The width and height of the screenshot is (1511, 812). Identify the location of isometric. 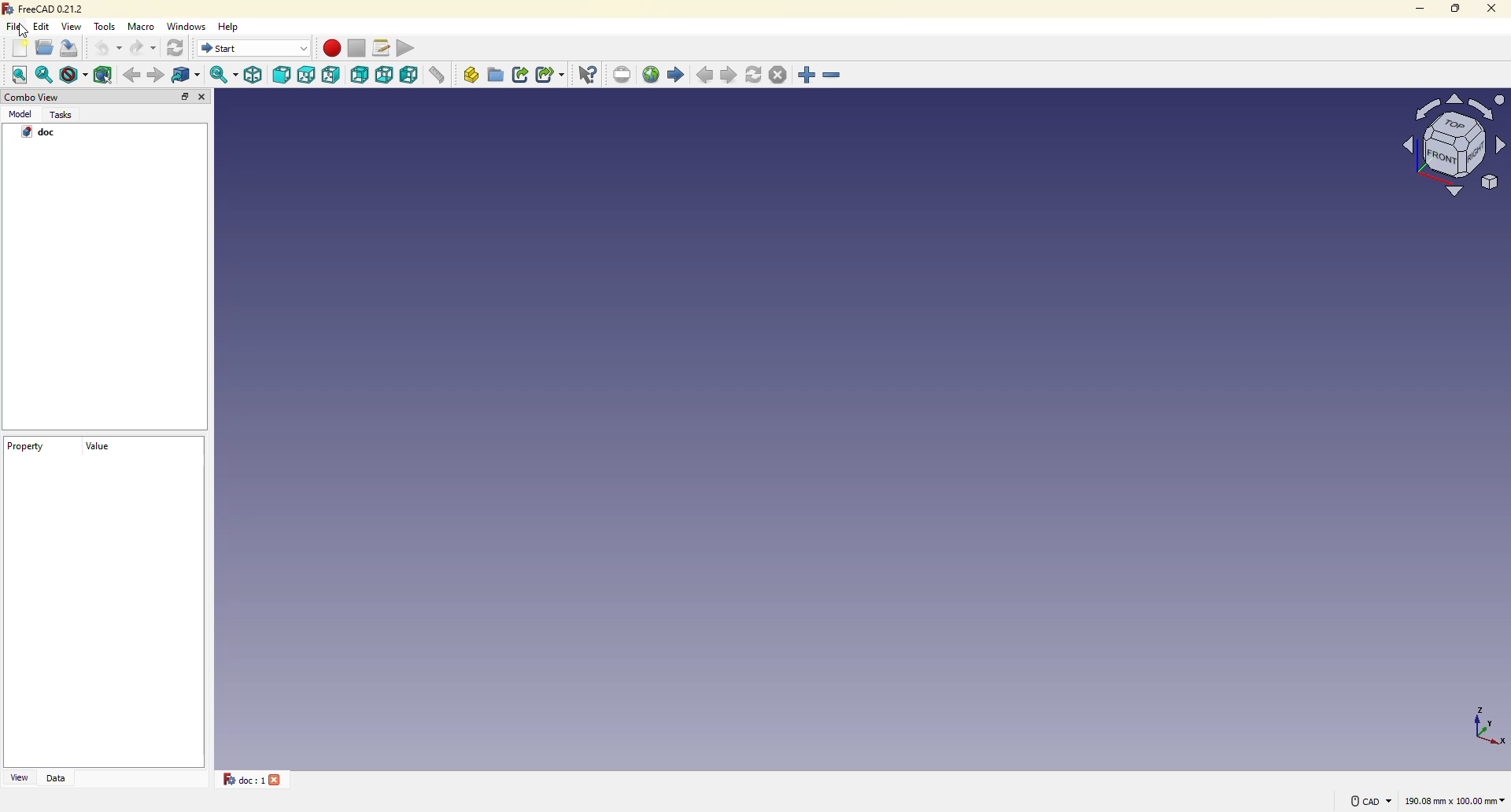
(254, 75).